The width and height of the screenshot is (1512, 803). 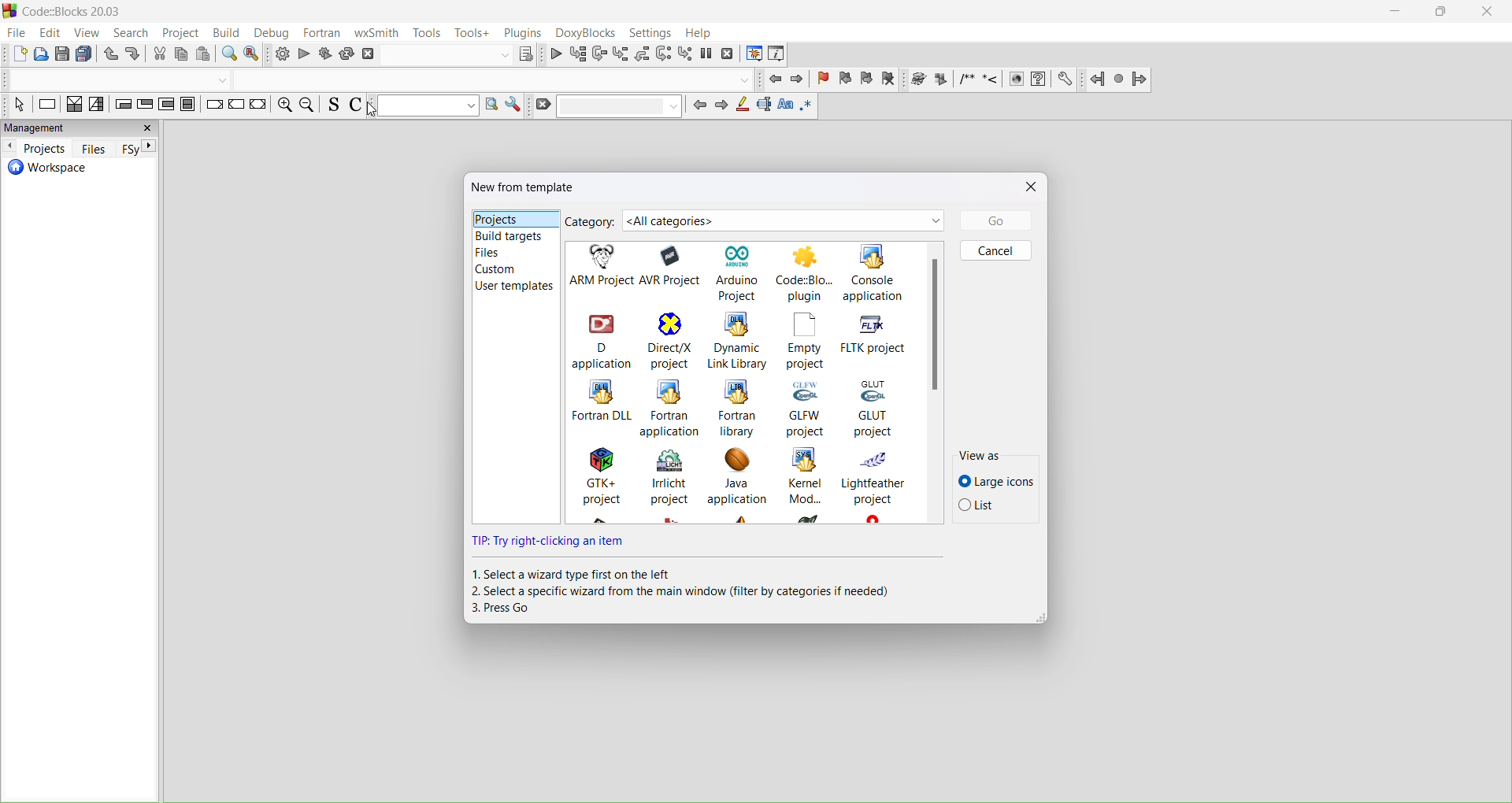 What do you see at coordinates (259, 105) in the screenshot?
I see `return instructions` at bounding box center [259, 105].